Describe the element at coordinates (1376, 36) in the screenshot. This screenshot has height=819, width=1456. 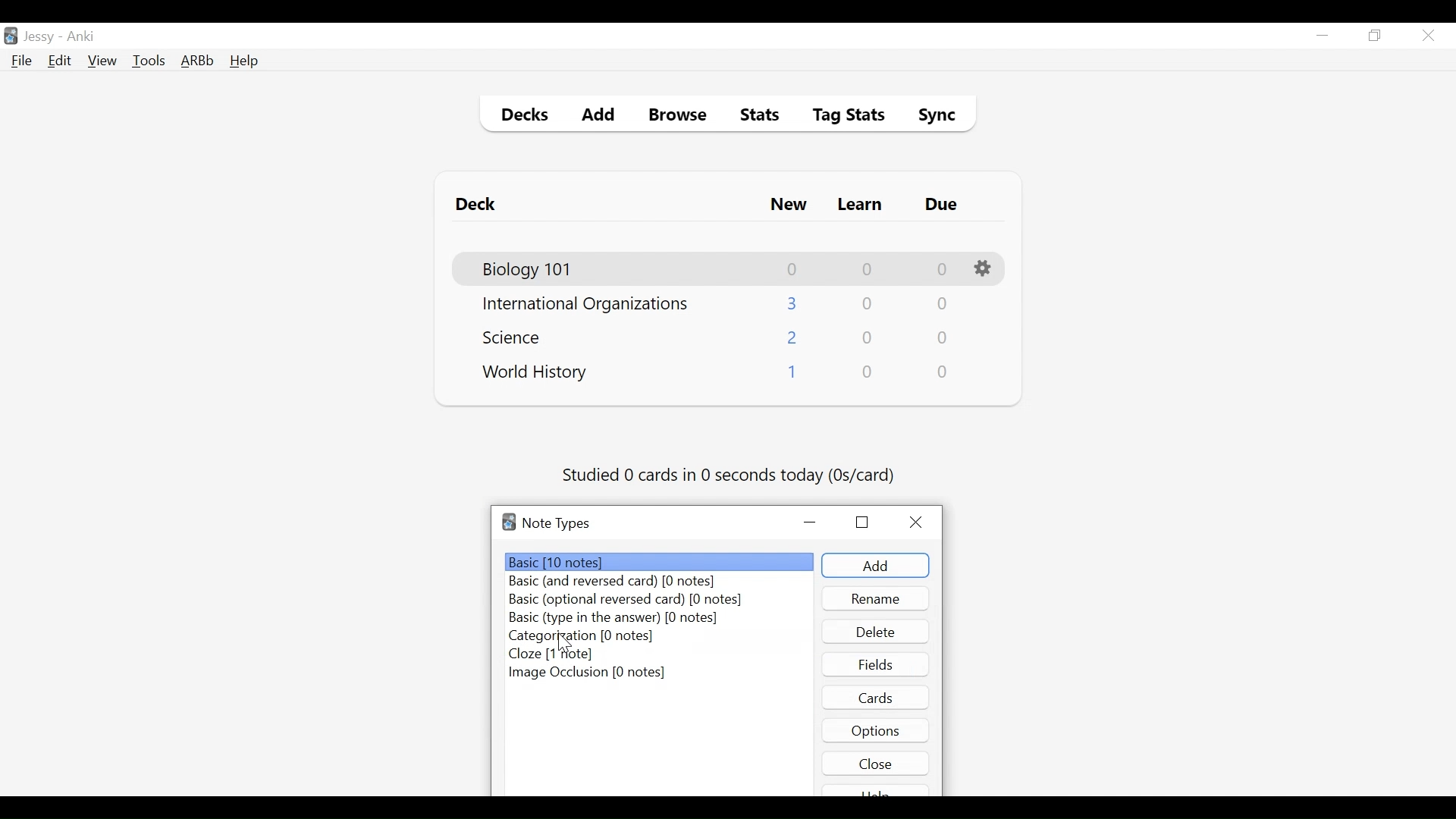
I see `Restore` at that location.